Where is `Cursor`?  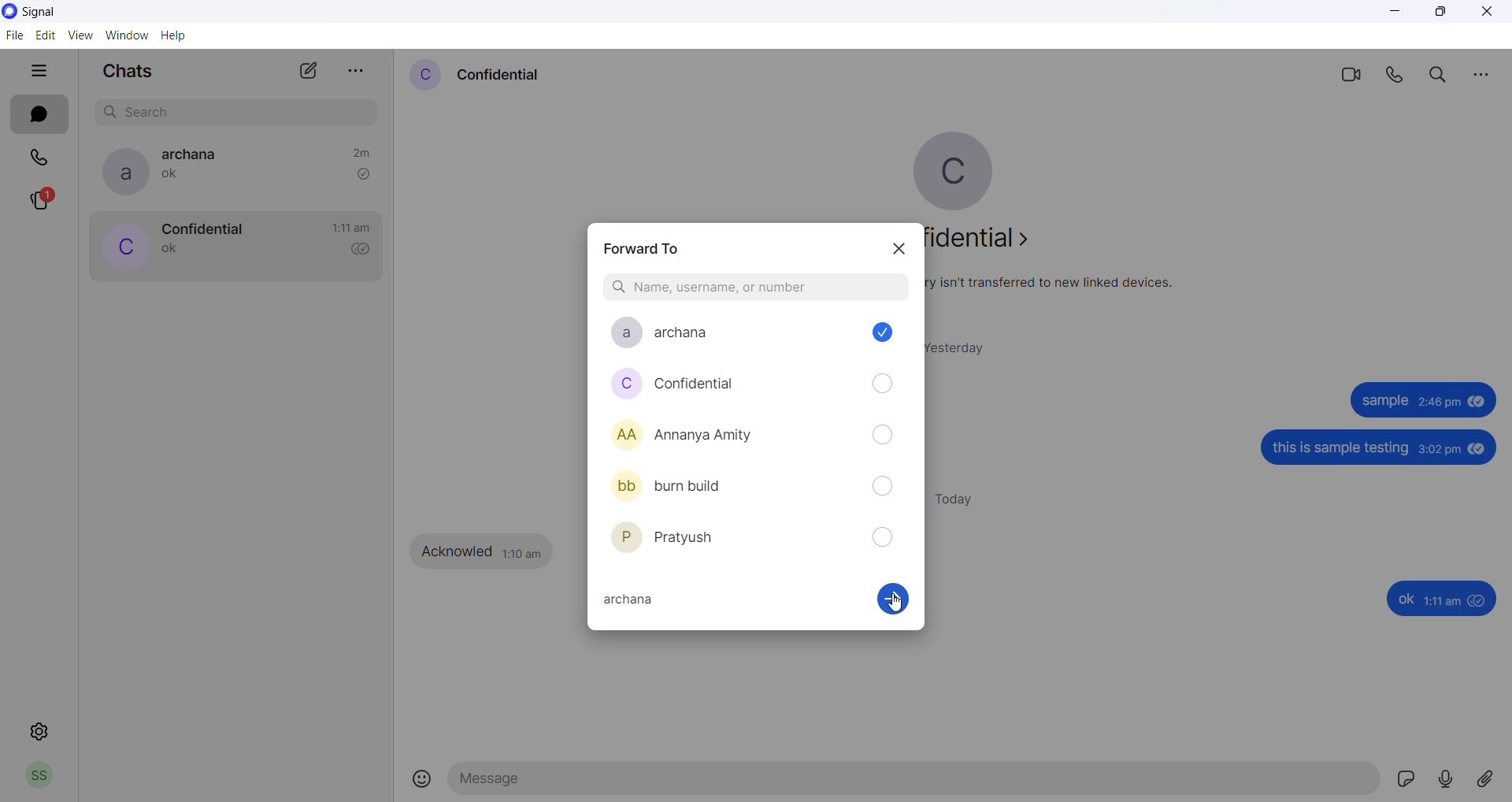
Cursor is located at coordinates (884, 340).